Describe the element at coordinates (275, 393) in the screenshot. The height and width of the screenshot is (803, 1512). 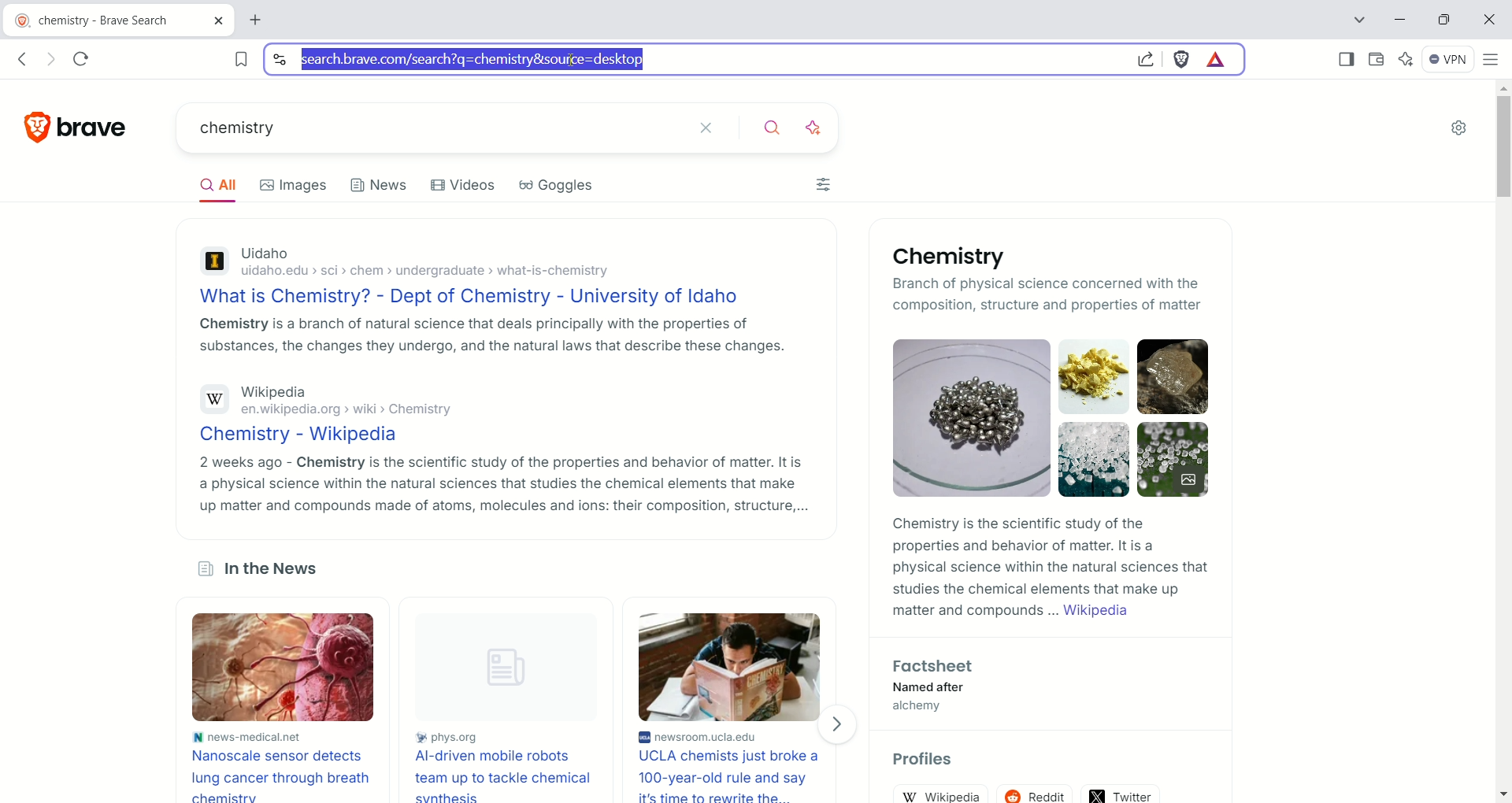
I see `Wikipedia` at that location.